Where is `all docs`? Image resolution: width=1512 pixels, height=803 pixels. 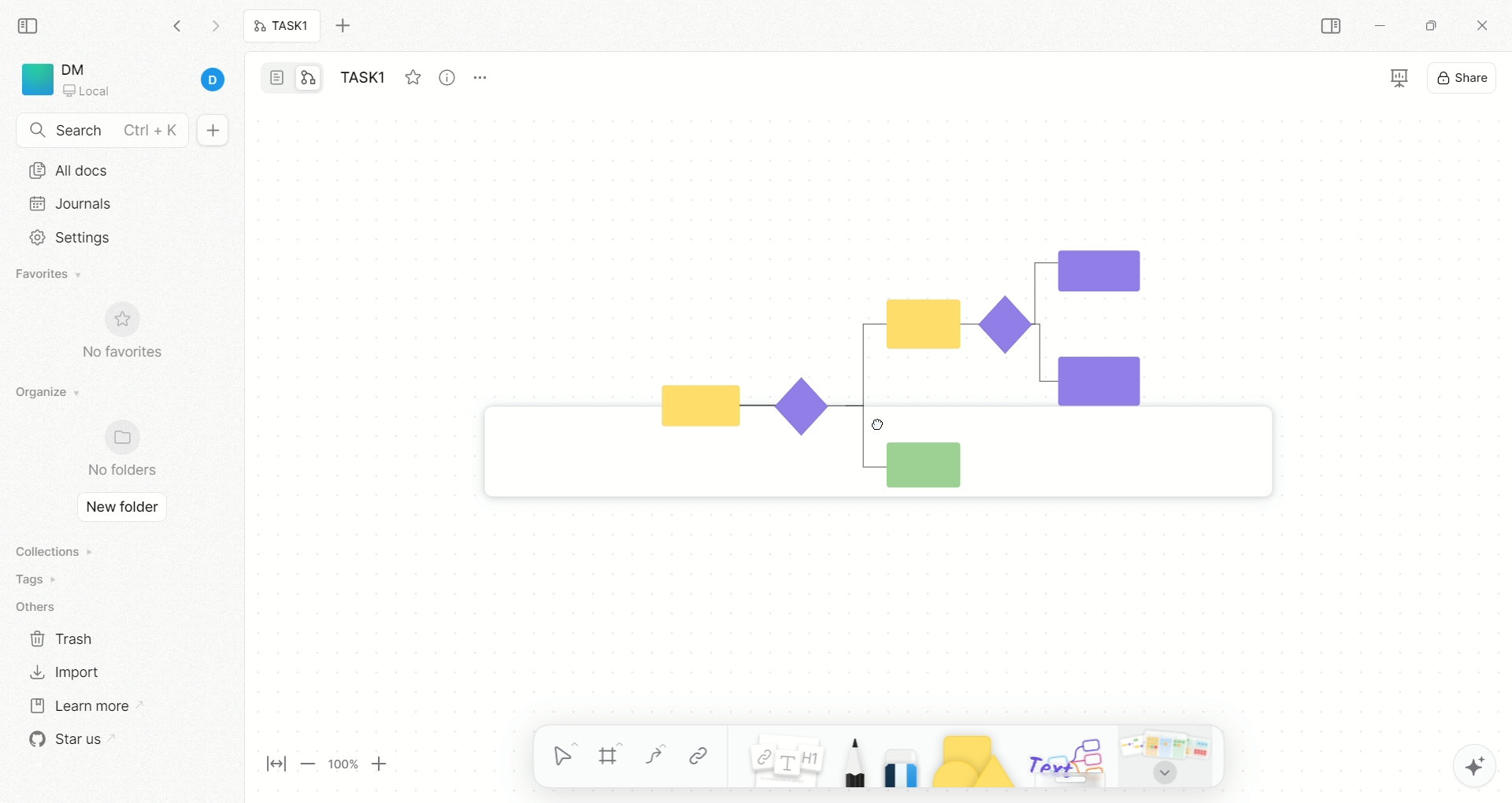
all docs is located at coordinates (69, 170).